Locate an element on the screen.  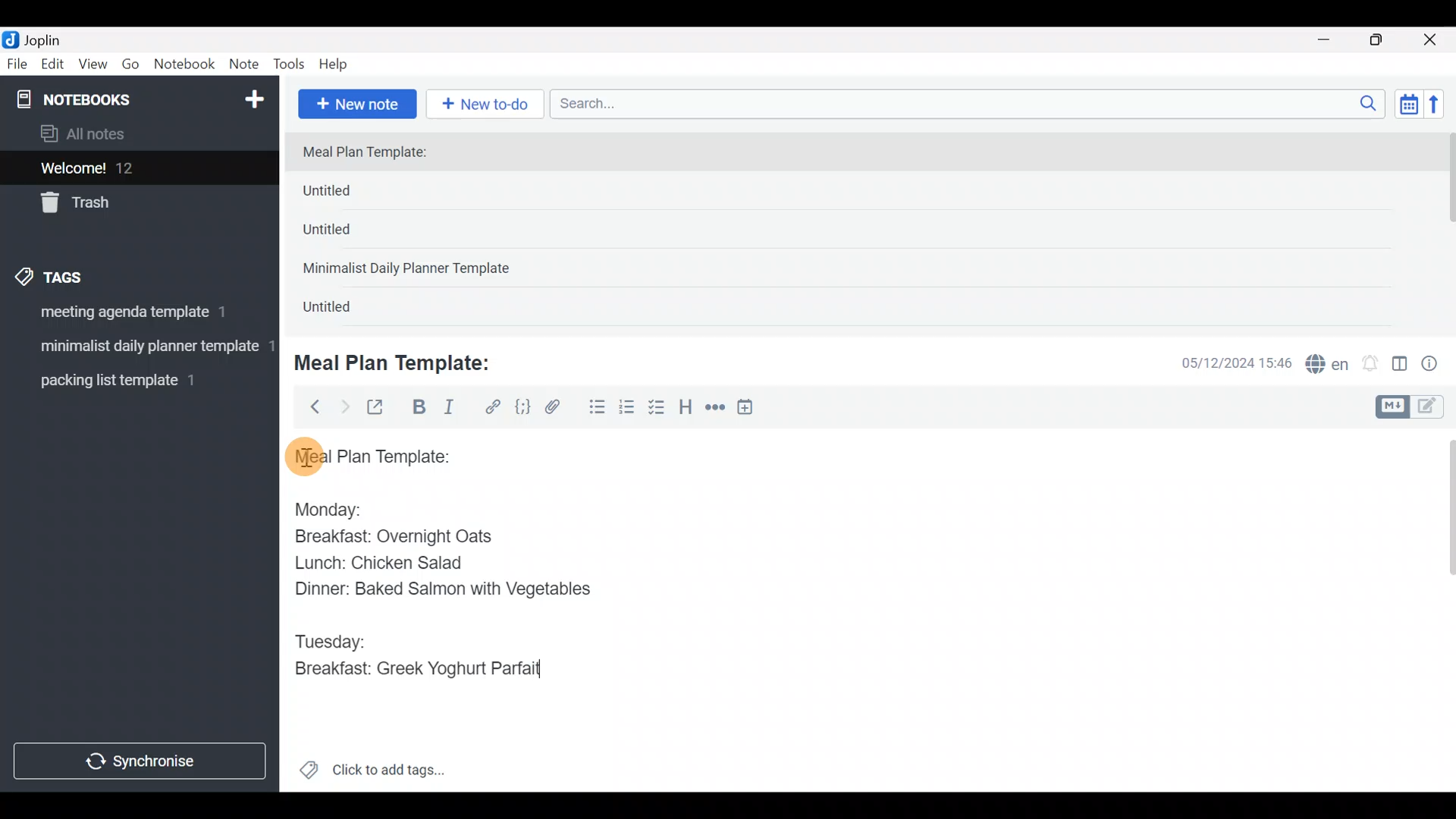
Reverse sort is located at coordinates (1442, 108).